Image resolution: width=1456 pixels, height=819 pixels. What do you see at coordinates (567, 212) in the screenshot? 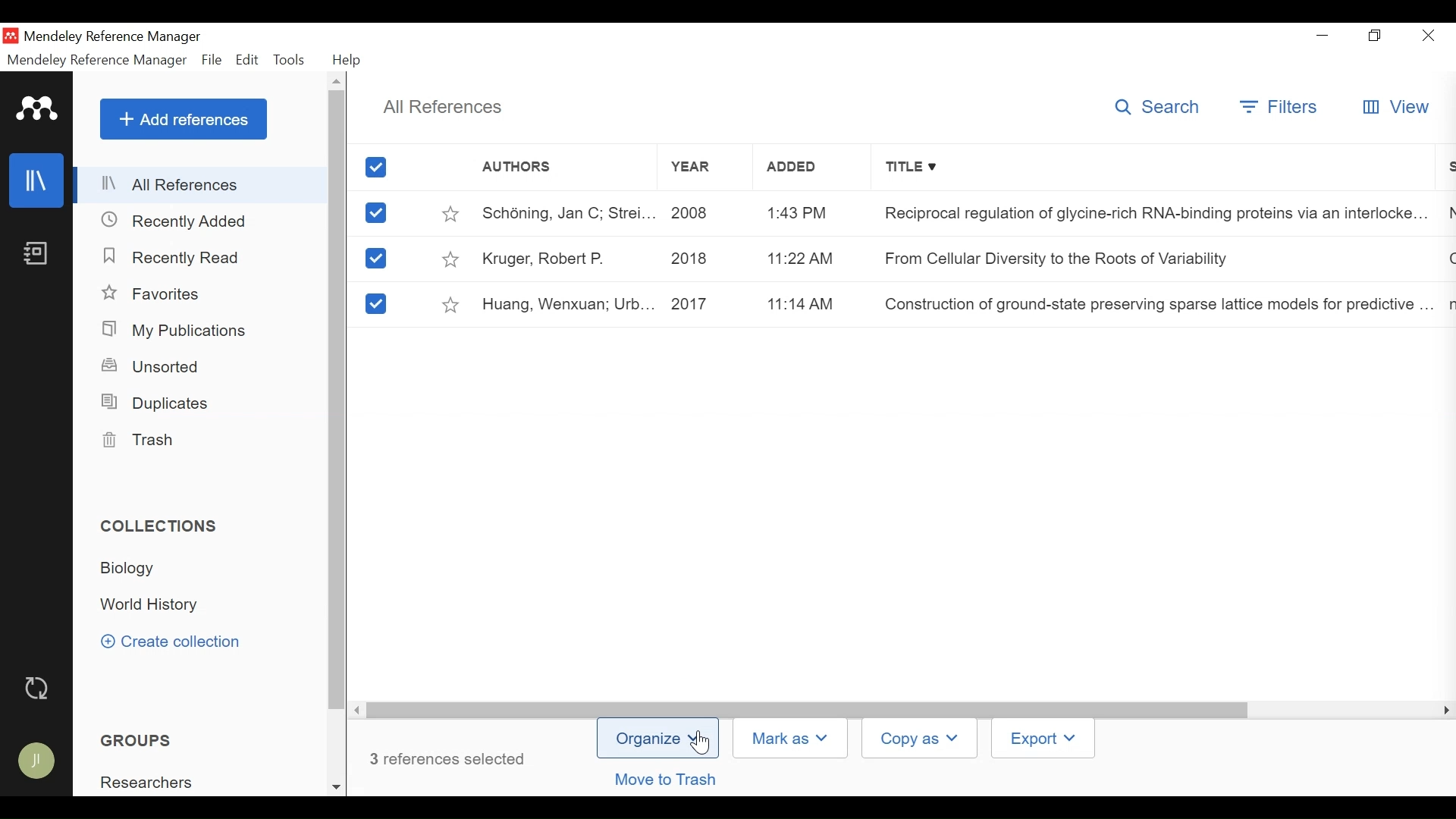
I see `Schoning, Jan C; Strei...` at bounding box center [567, 212].